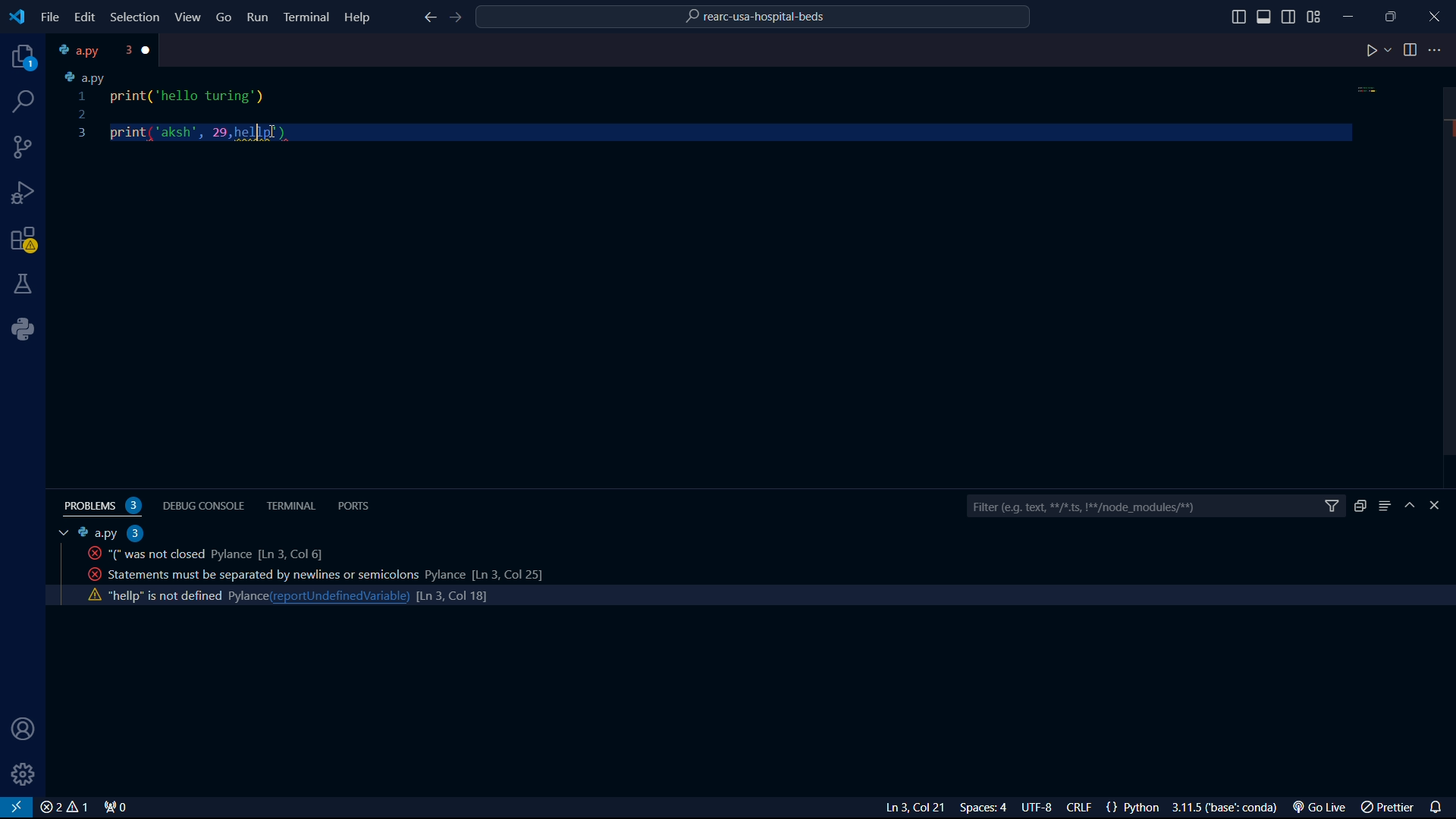 This screenshot has height=819, width=1456. I want to click on foward, so click(459, 18).